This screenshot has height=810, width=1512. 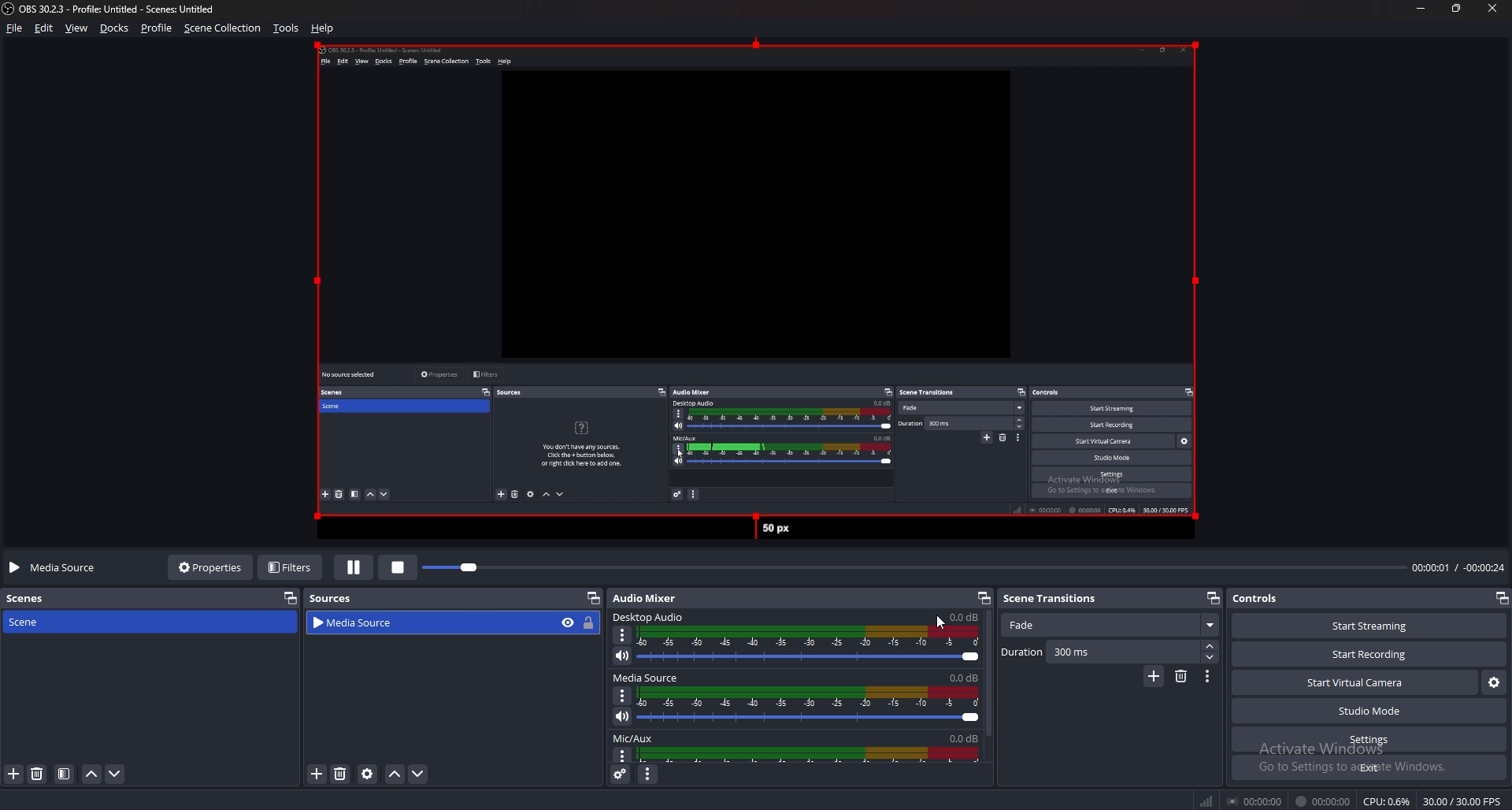 I want to click on Media source, so click(x=52, y=567).